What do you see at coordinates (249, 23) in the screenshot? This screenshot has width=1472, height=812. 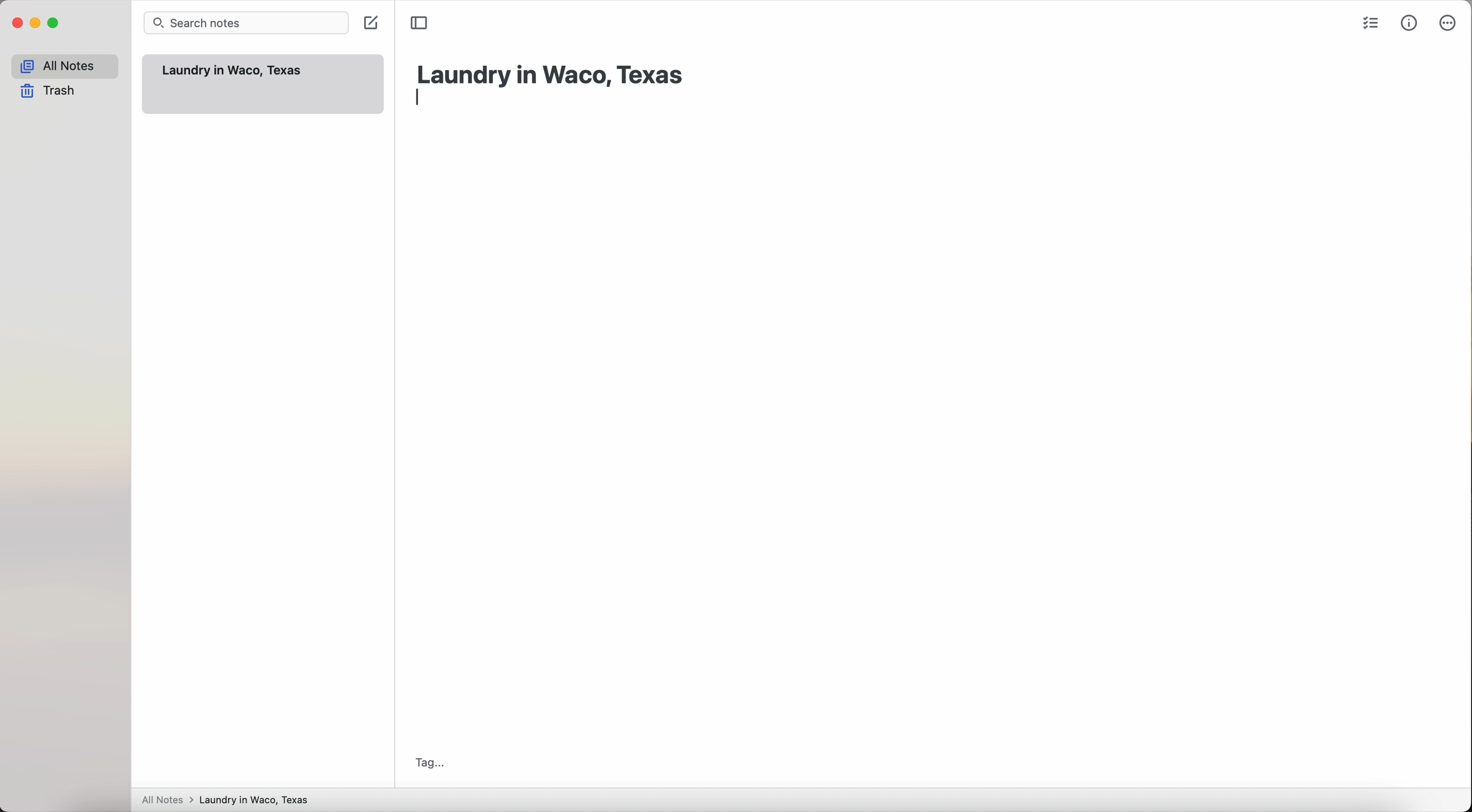 I see `search bar` at bounding box center [249, 23].